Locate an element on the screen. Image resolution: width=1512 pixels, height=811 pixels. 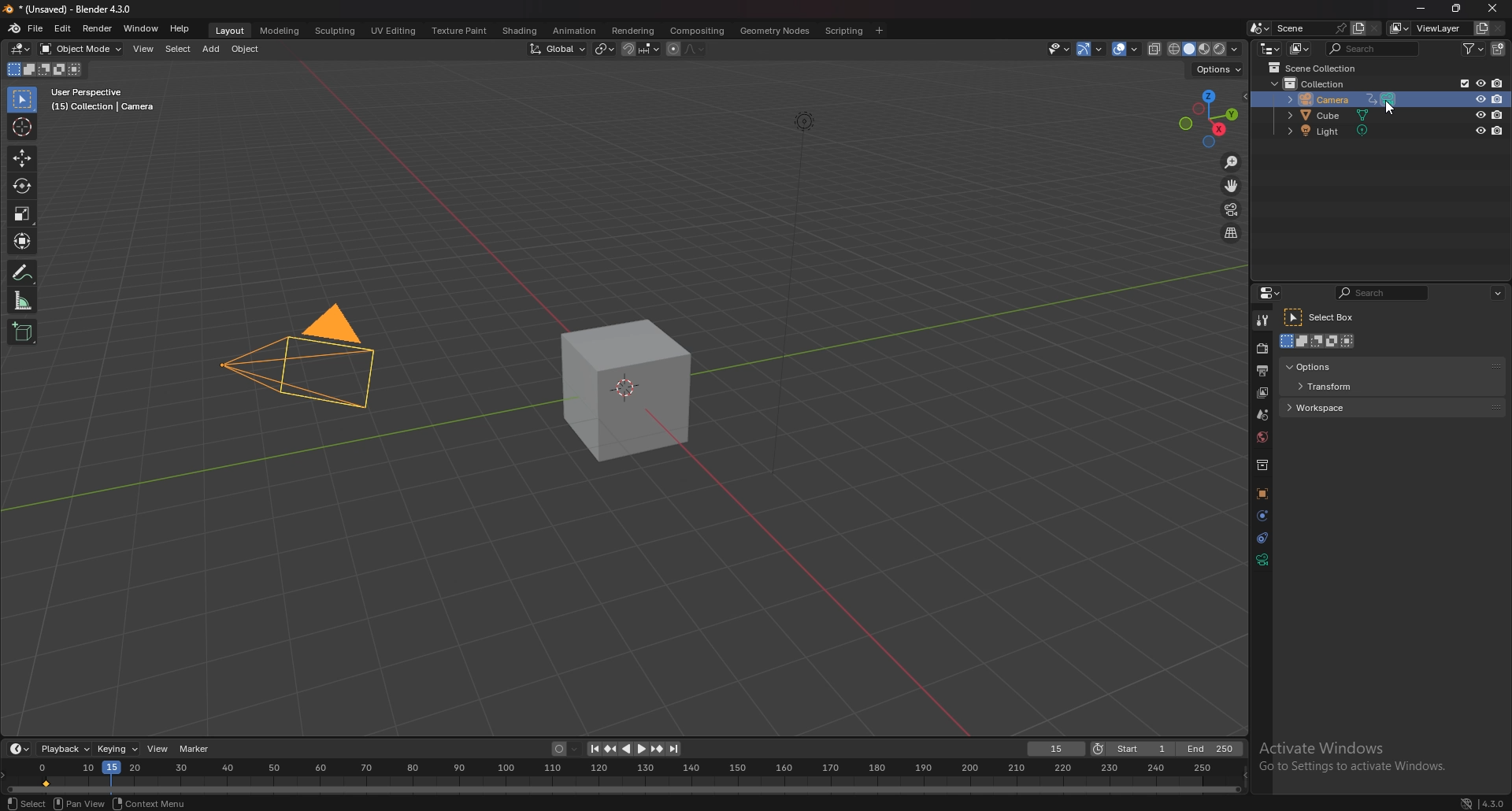
move is located at coordinates (23, 157).